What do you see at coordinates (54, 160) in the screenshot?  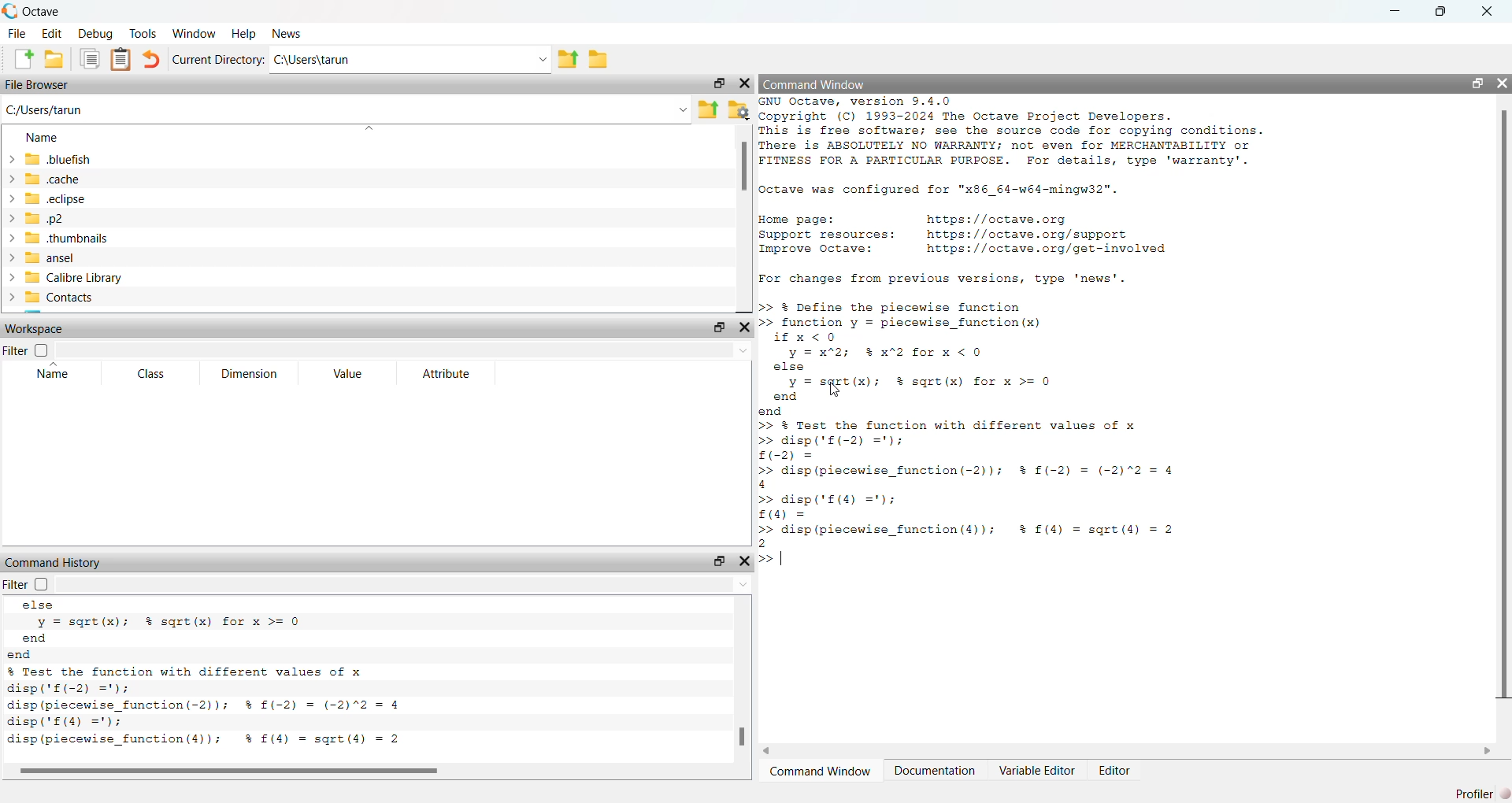 I see `>.bluefish` at bounding box center [54, 160].